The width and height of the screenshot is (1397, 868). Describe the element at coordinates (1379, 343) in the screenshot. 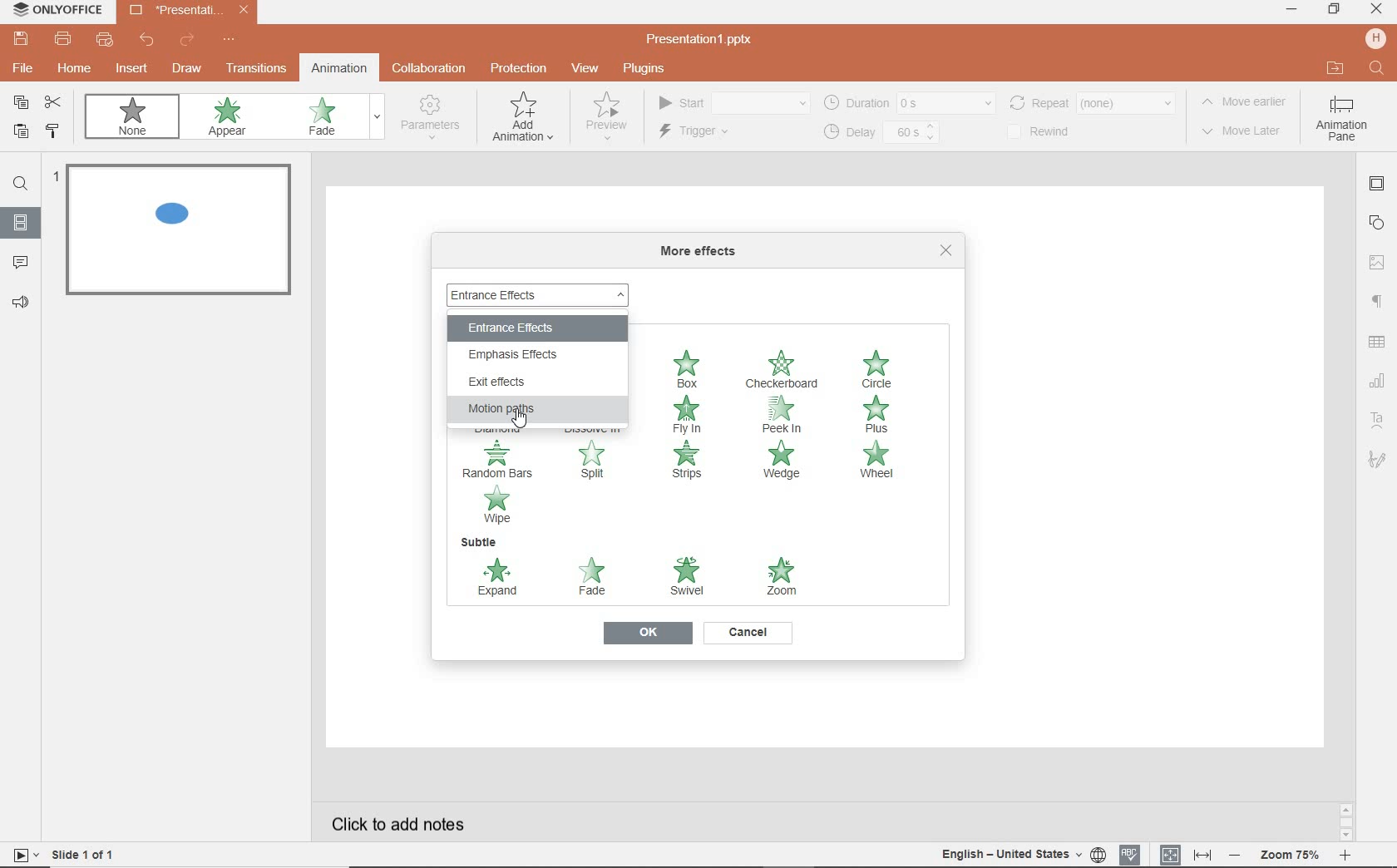

I see `table settings` at that location.